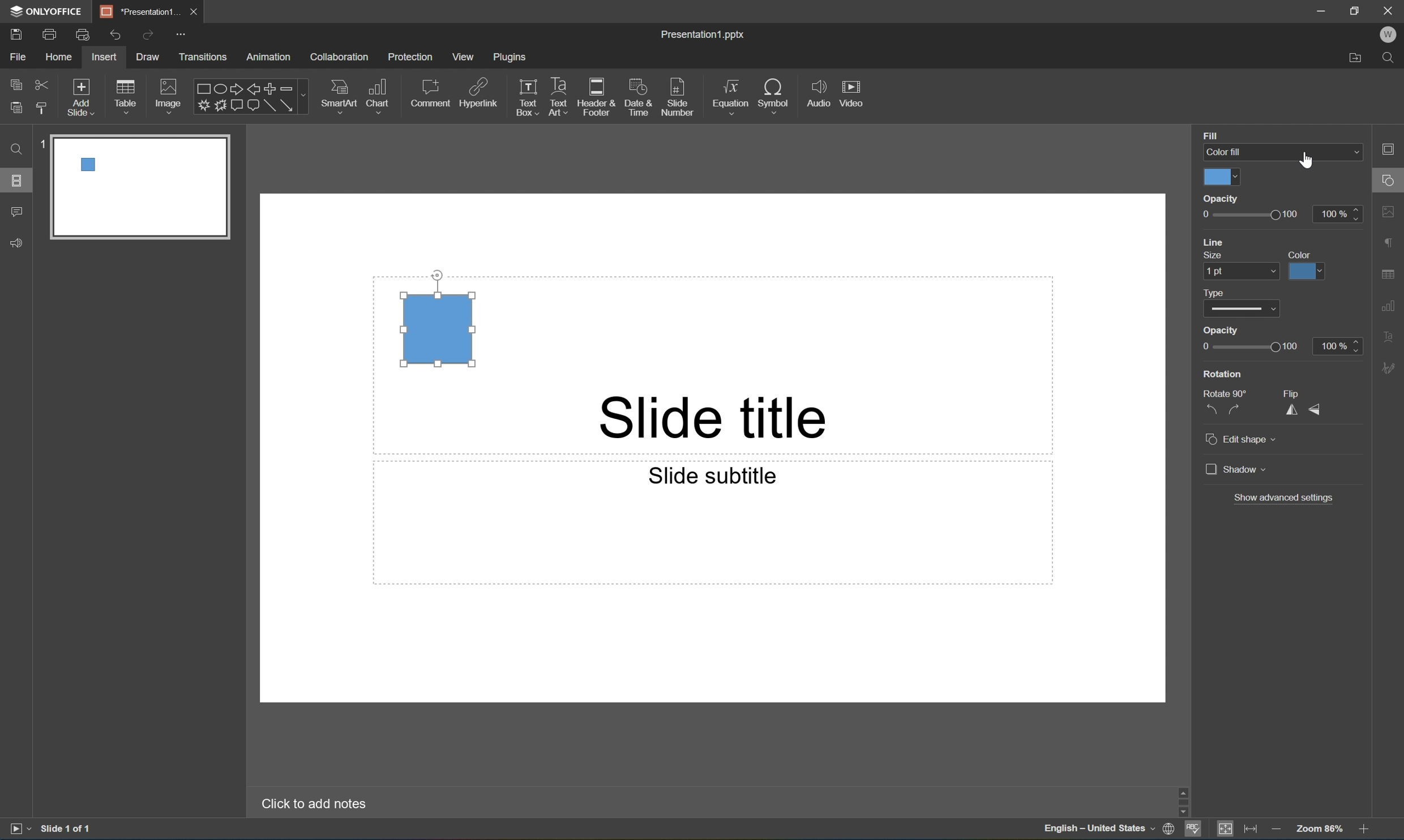 The height and width of the screenshot is (840, 1404). I want to click on Protection, so click(410, 57).